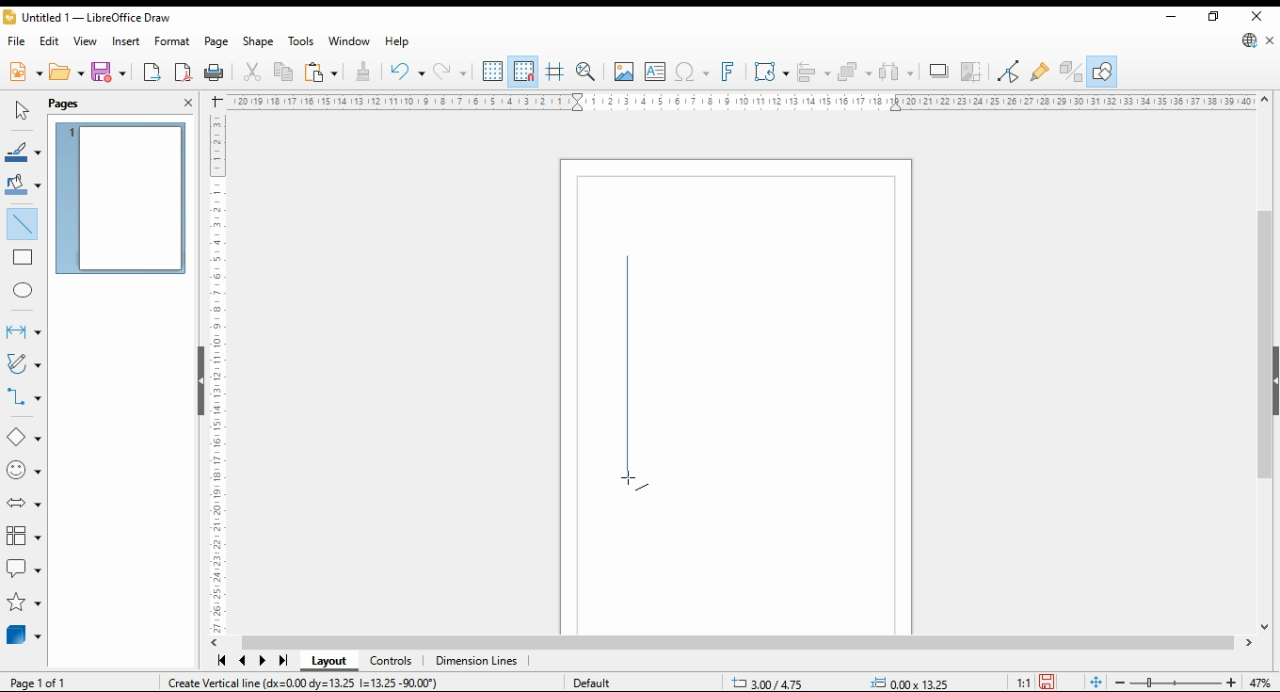  What do you see at coordinates (24, 74) in the screenshot?
I see `new` at bounding box center [24, 74].